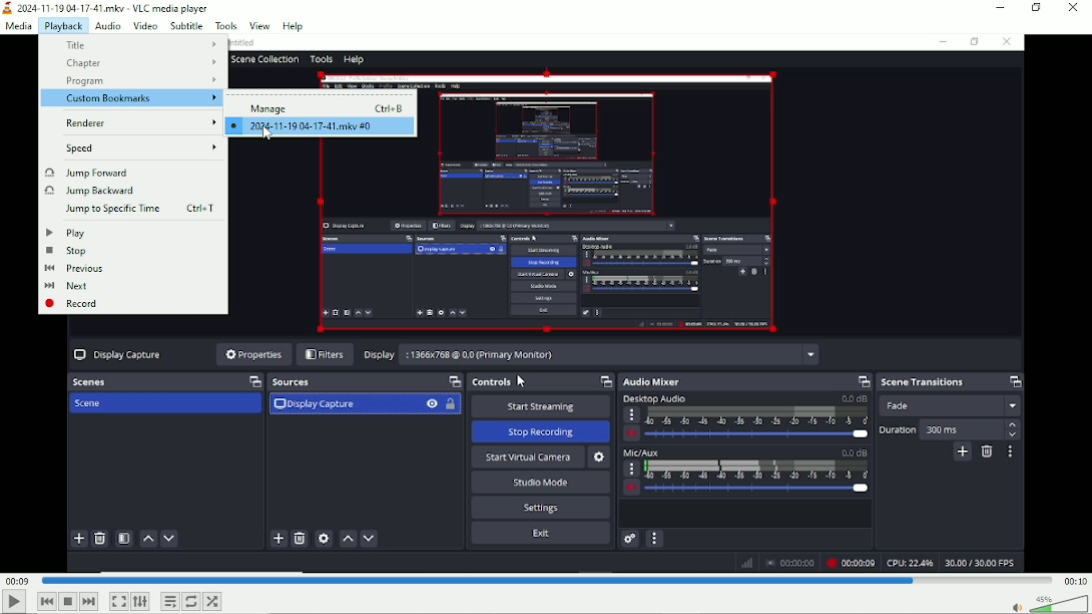 The height and width of the screenshot is (614, 1092). I want to click on Jump to specific time, so click(140, 208).